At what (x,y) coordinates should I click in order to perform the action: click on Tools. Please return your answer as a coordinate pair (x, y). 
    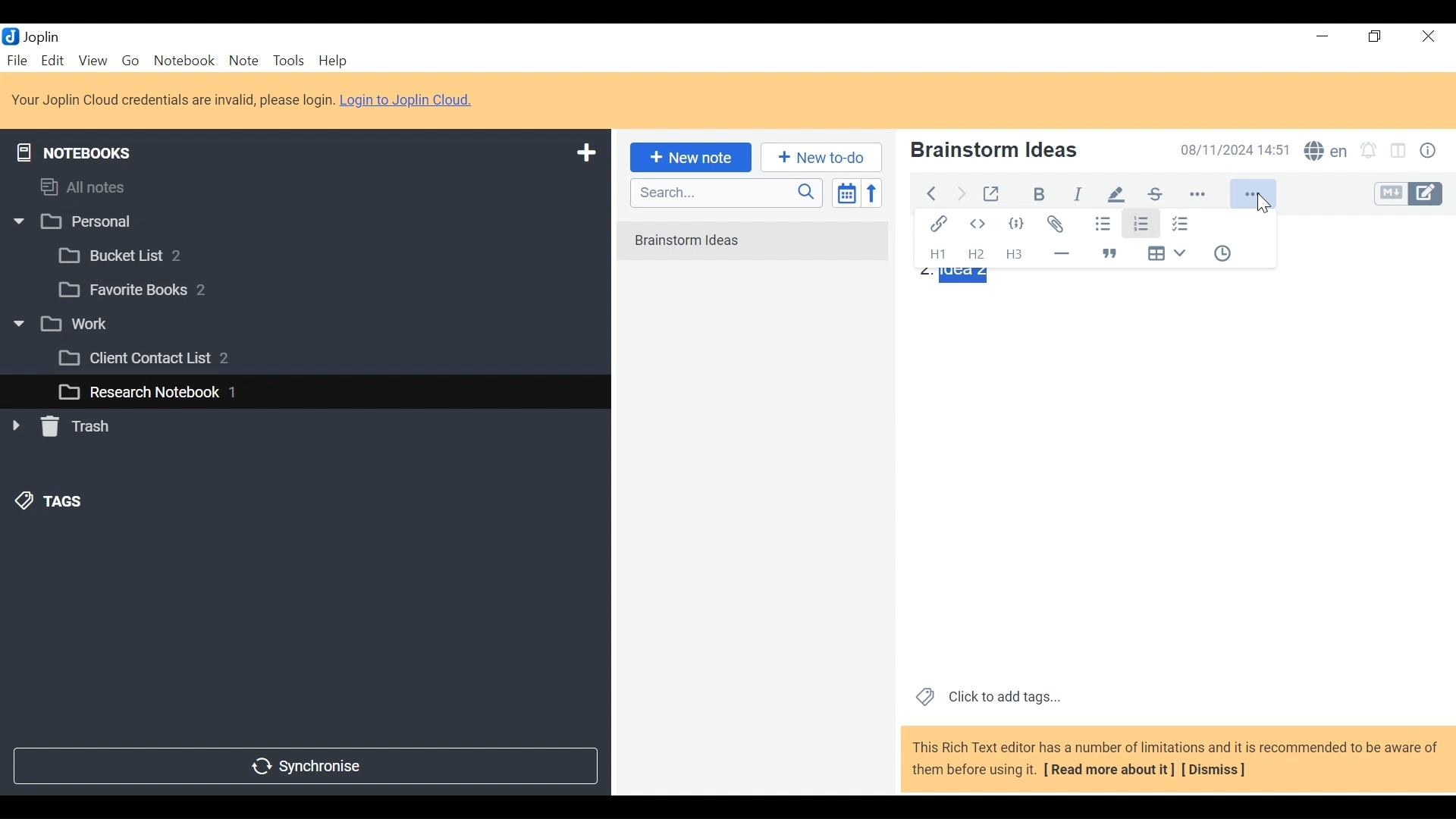
    Looking at the image, I should click on (287, 61).